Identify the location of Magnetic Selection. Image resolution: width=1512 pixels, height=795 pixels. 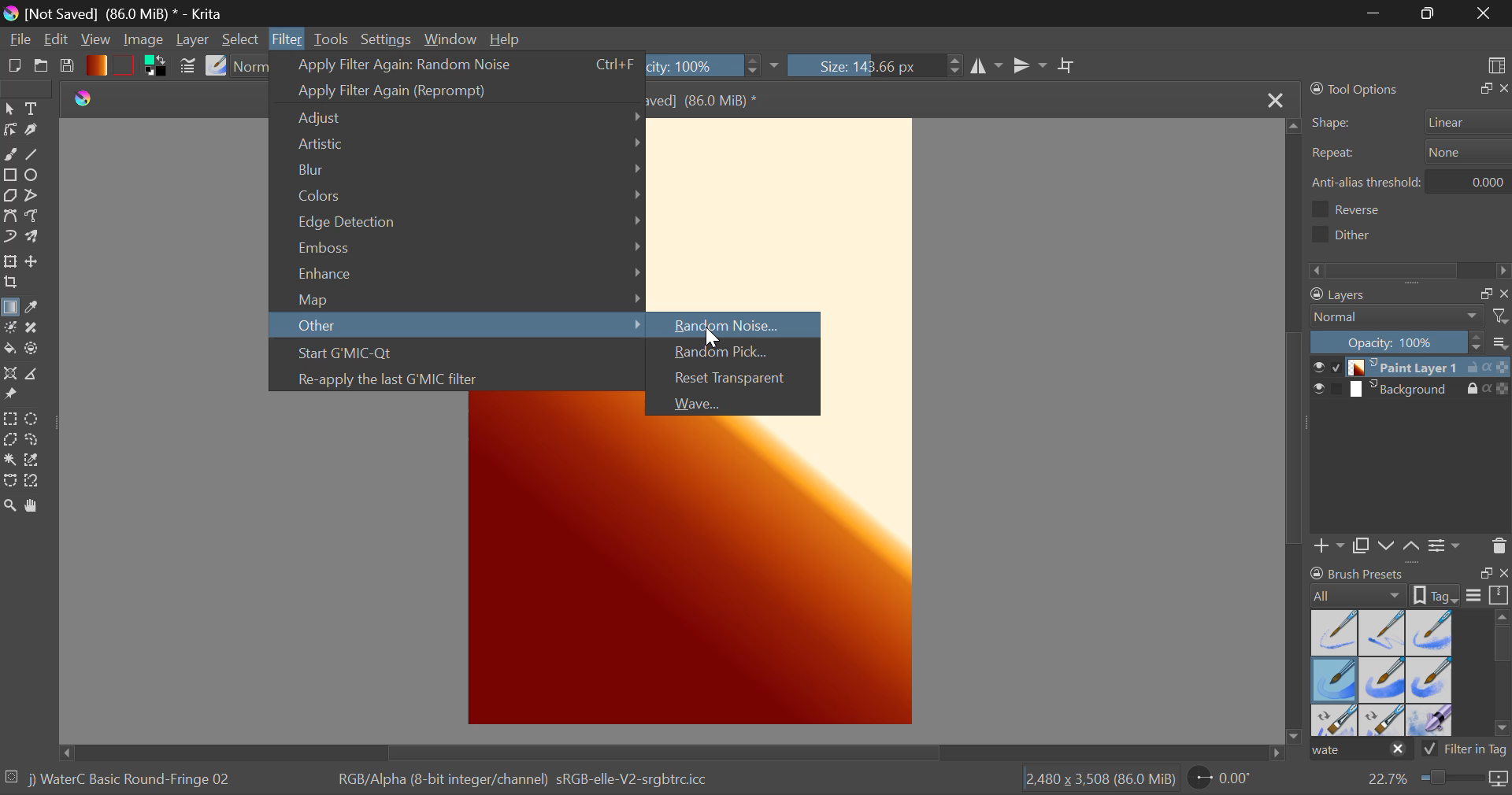
(33, 483).